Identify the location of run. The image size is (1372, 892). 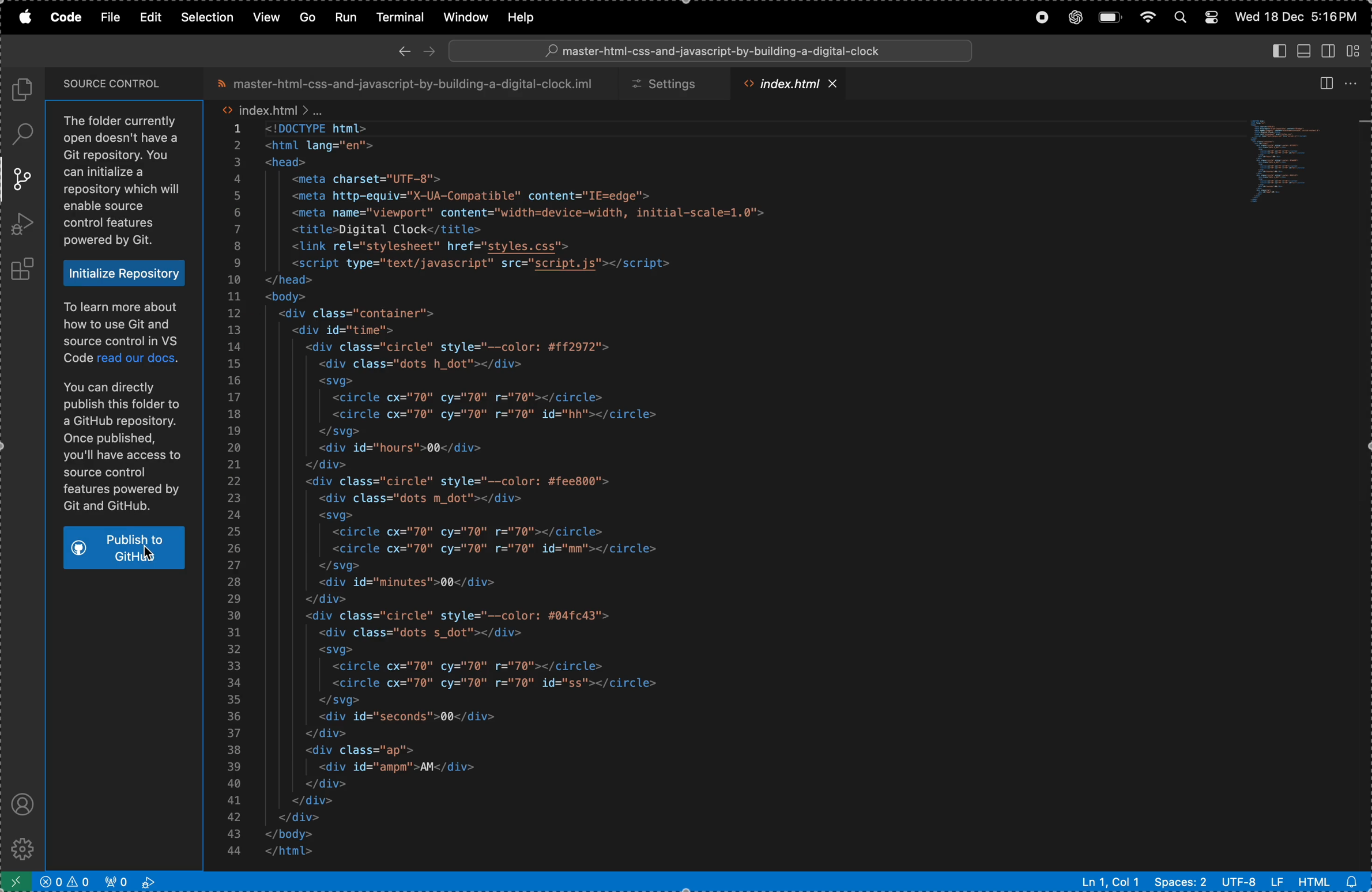
(342, 16).